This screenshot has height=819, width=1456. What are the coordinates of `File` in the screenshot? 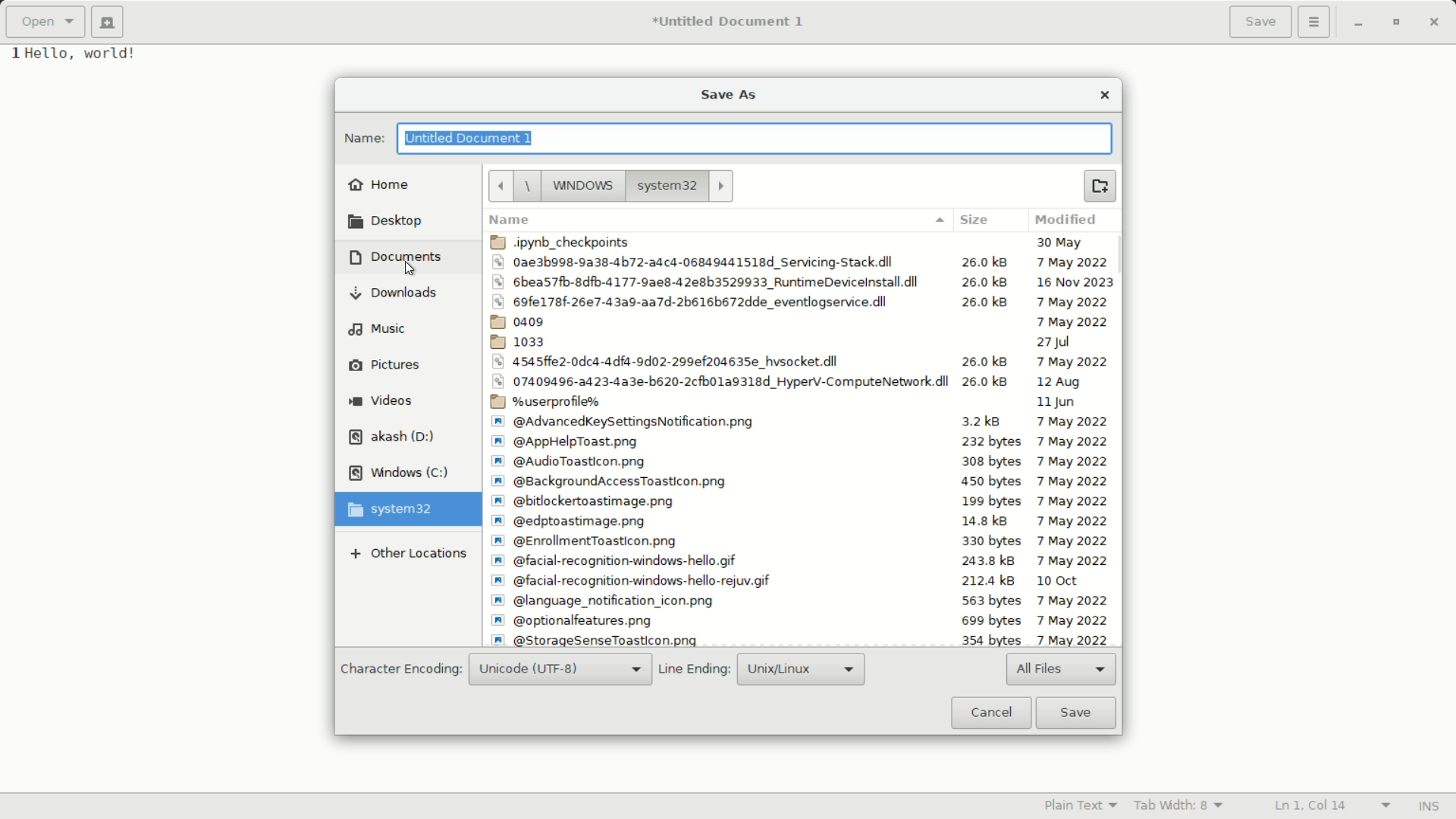 It's located at (799, 582).